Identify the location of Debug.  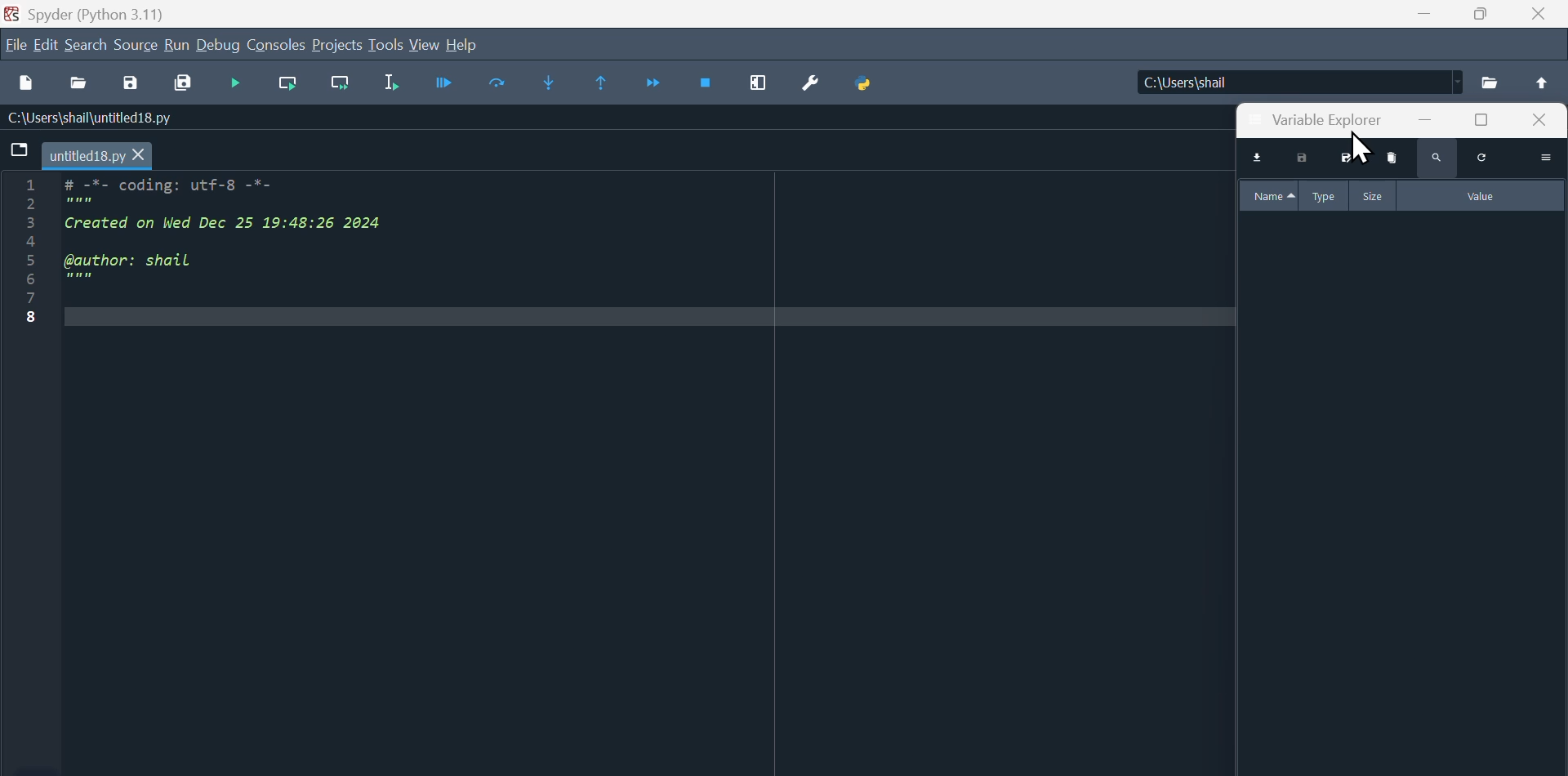
(218, 44).